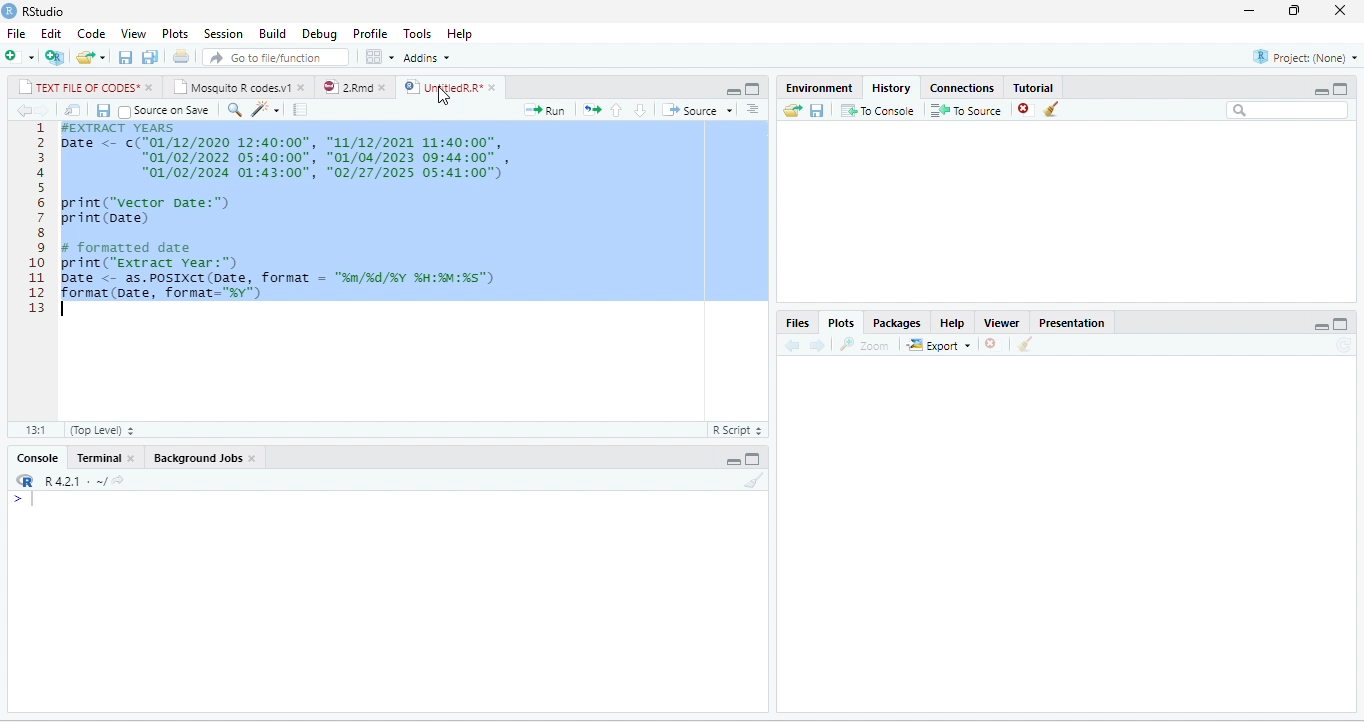 The width and height of the screenshot is (1364, 722). What do you see at coordinates (419, 34) in the screenshot?
I see `Tools` at bounding box center [419, 34].